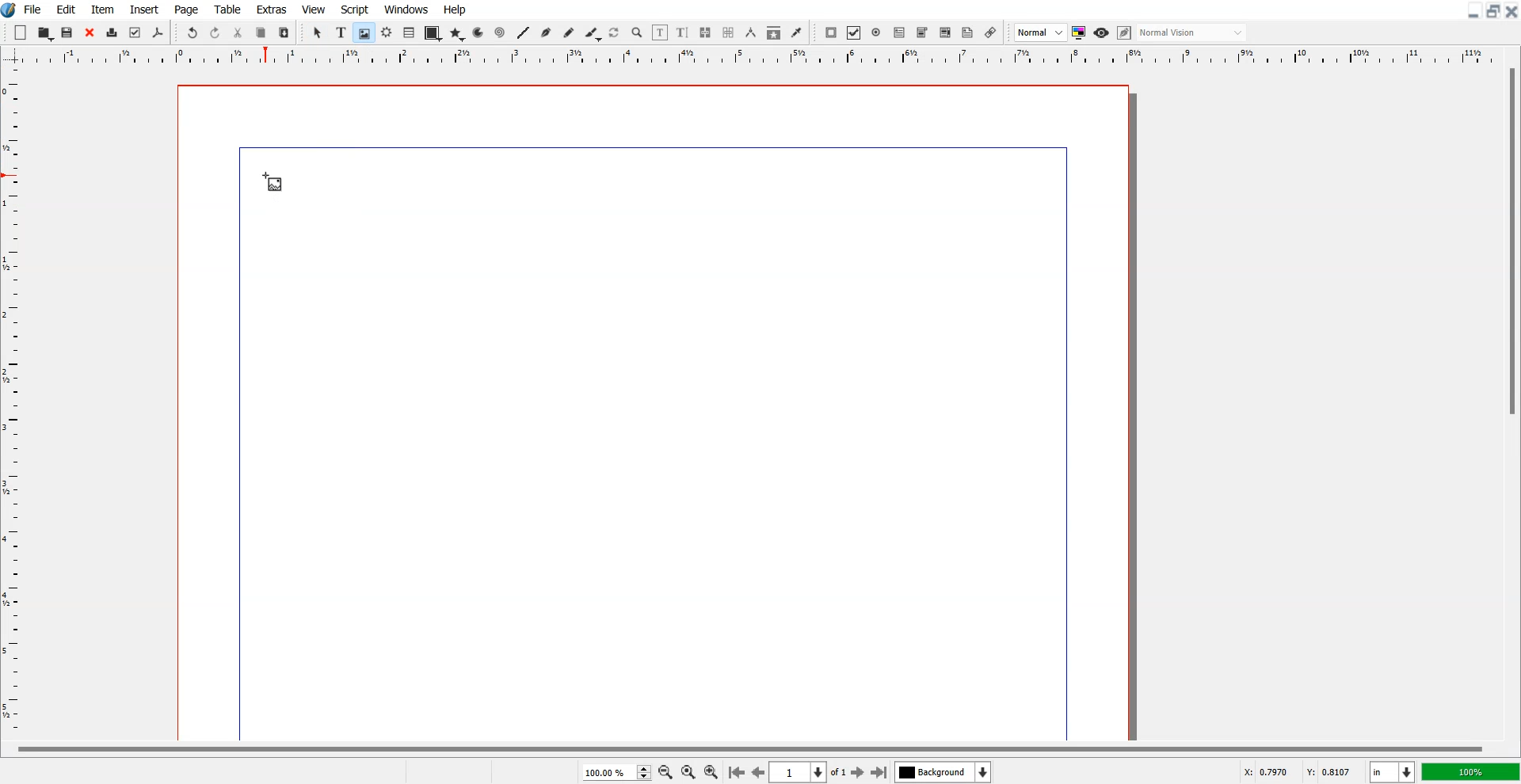 Image resolution: width=1521 pixels, height=784 pixels. Describe the element at coordinates (457, 35) in the screenshot. I see `Polygon` at that location.